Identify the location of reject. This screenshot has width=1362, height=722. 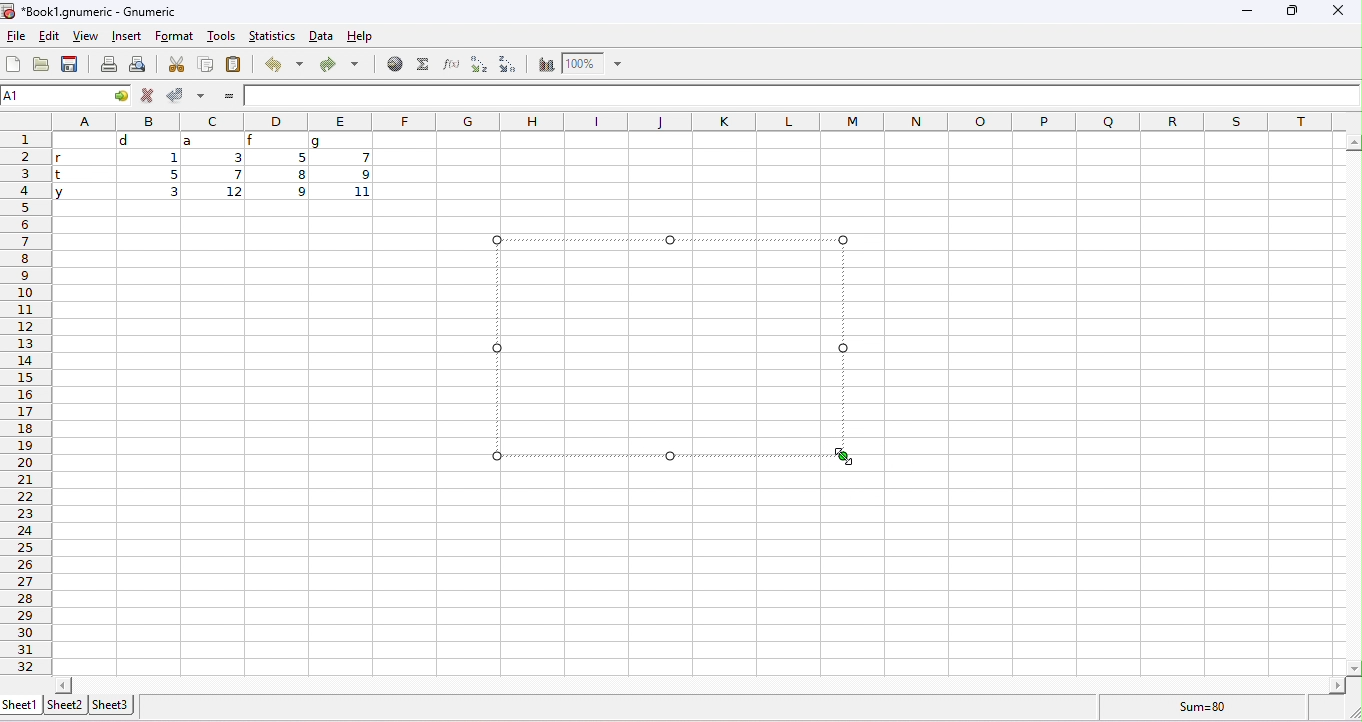
(146, 95).